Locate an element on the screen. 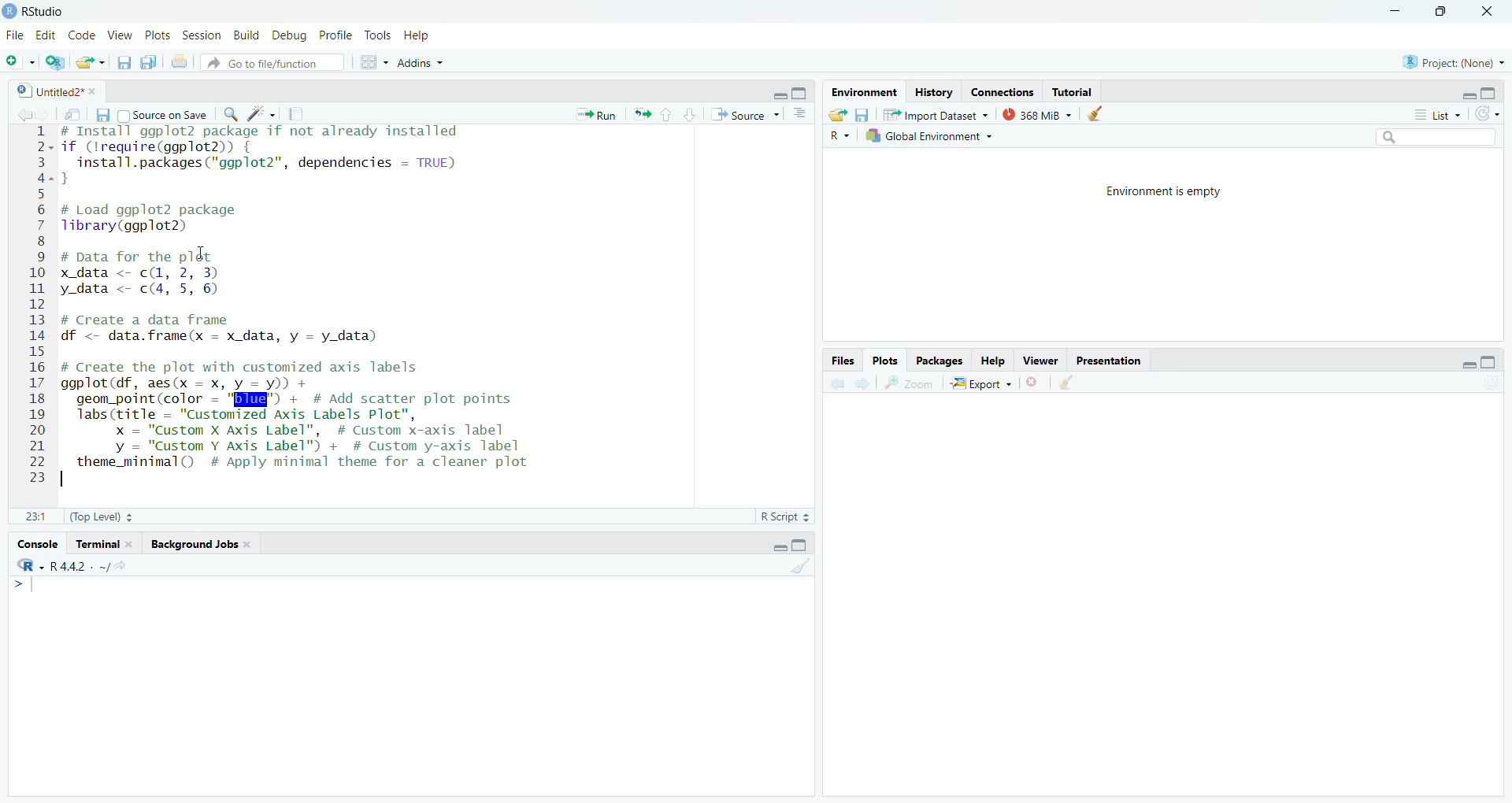 This screenshot has height=803, width=1512. zoom is located at coordinates (910, 385).